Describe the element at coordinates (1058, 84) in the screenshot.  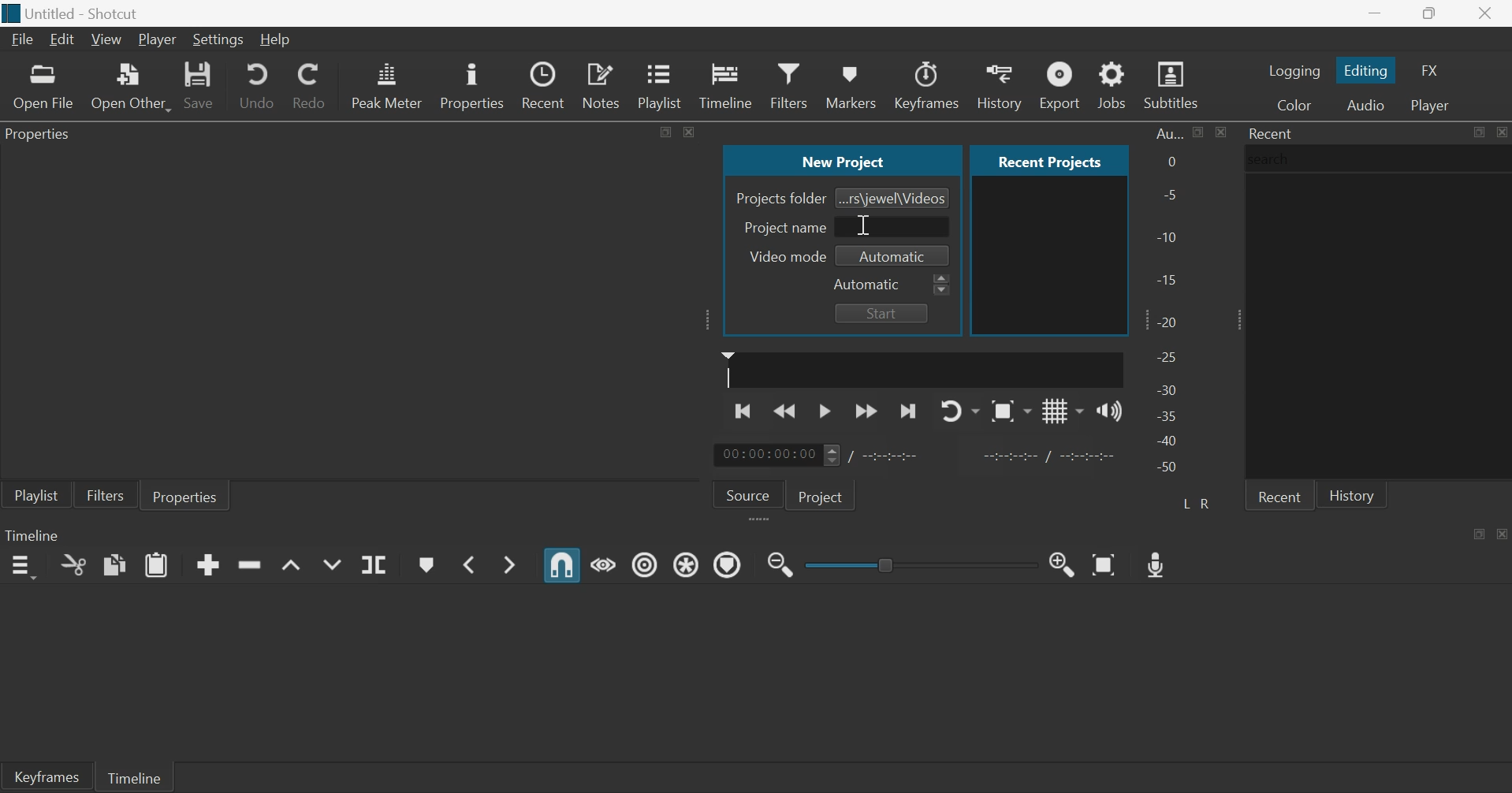
I see `Export` at that location.